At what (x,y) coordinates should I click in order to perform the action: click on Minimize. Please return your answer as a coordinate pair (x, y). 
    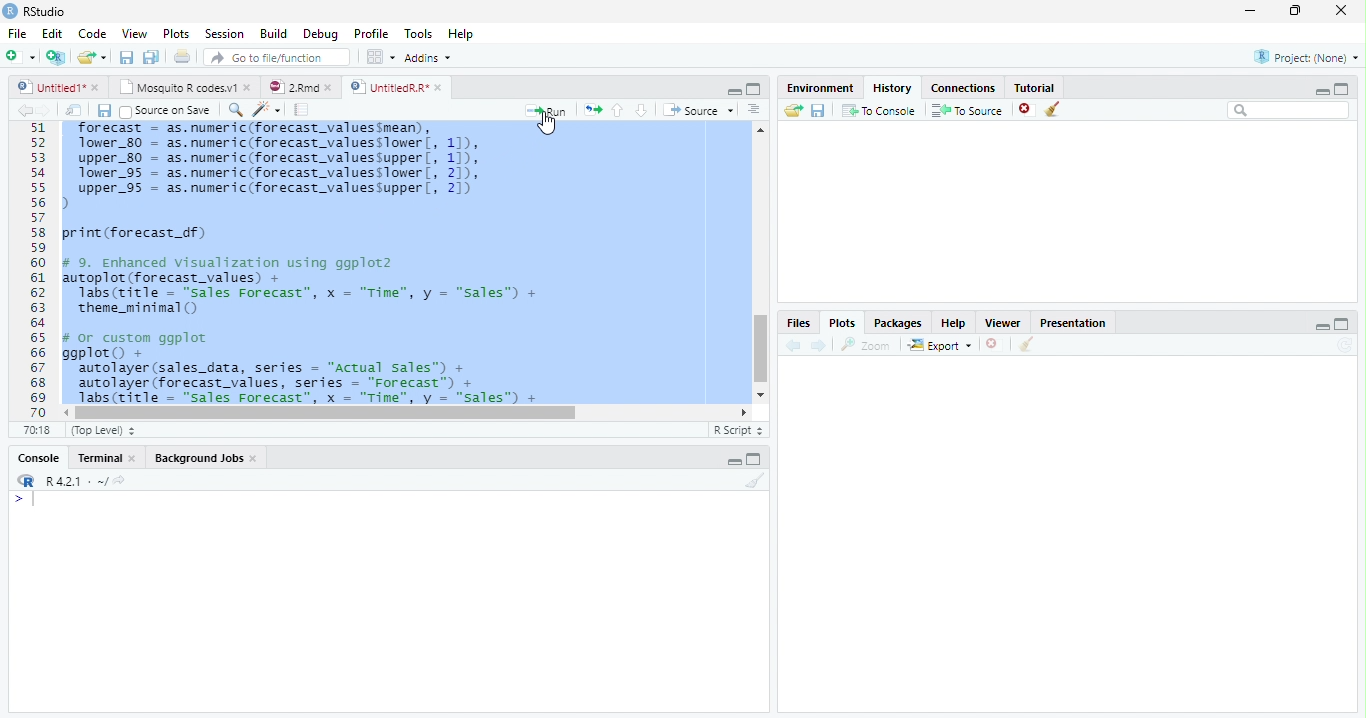
    Looking at the image, I should click on (731, 460).